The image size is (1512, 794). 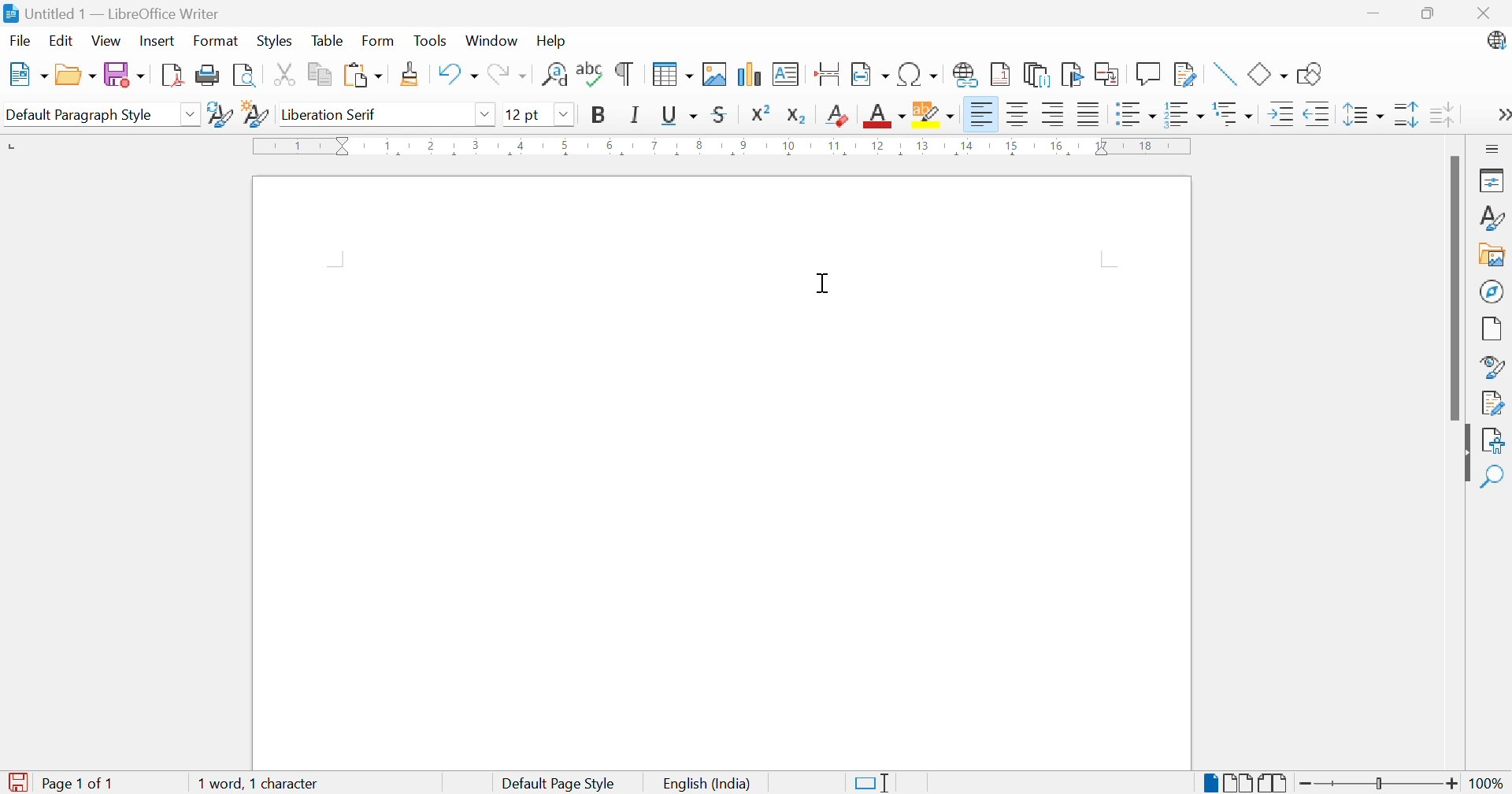 I want to click on Find and Replace, so click(x=554, y=74).